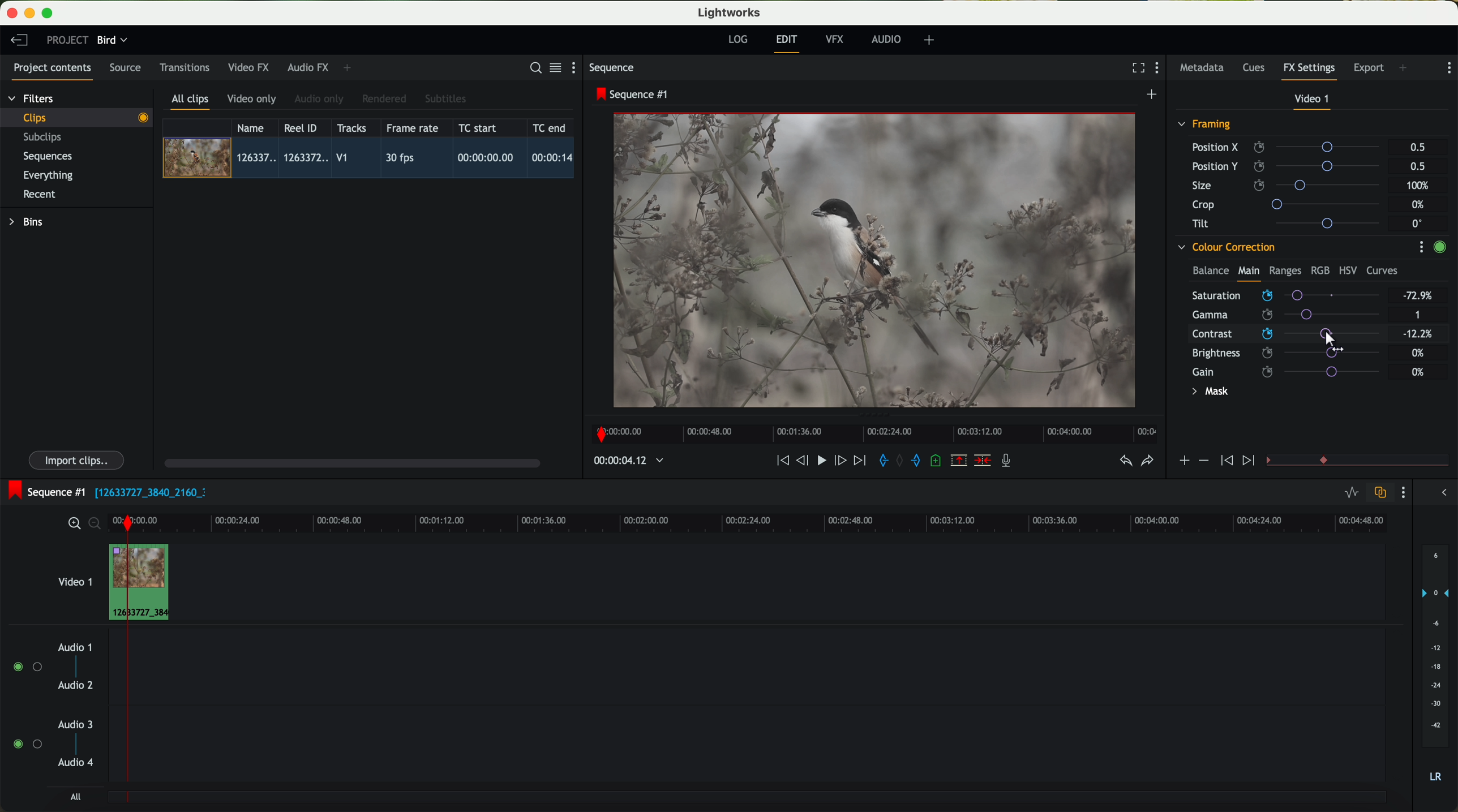 The height and width of the screenshot is (812, 1458). Describe the element at coordinates (1418, 372) in the screenshot. I see `0%` at that location.